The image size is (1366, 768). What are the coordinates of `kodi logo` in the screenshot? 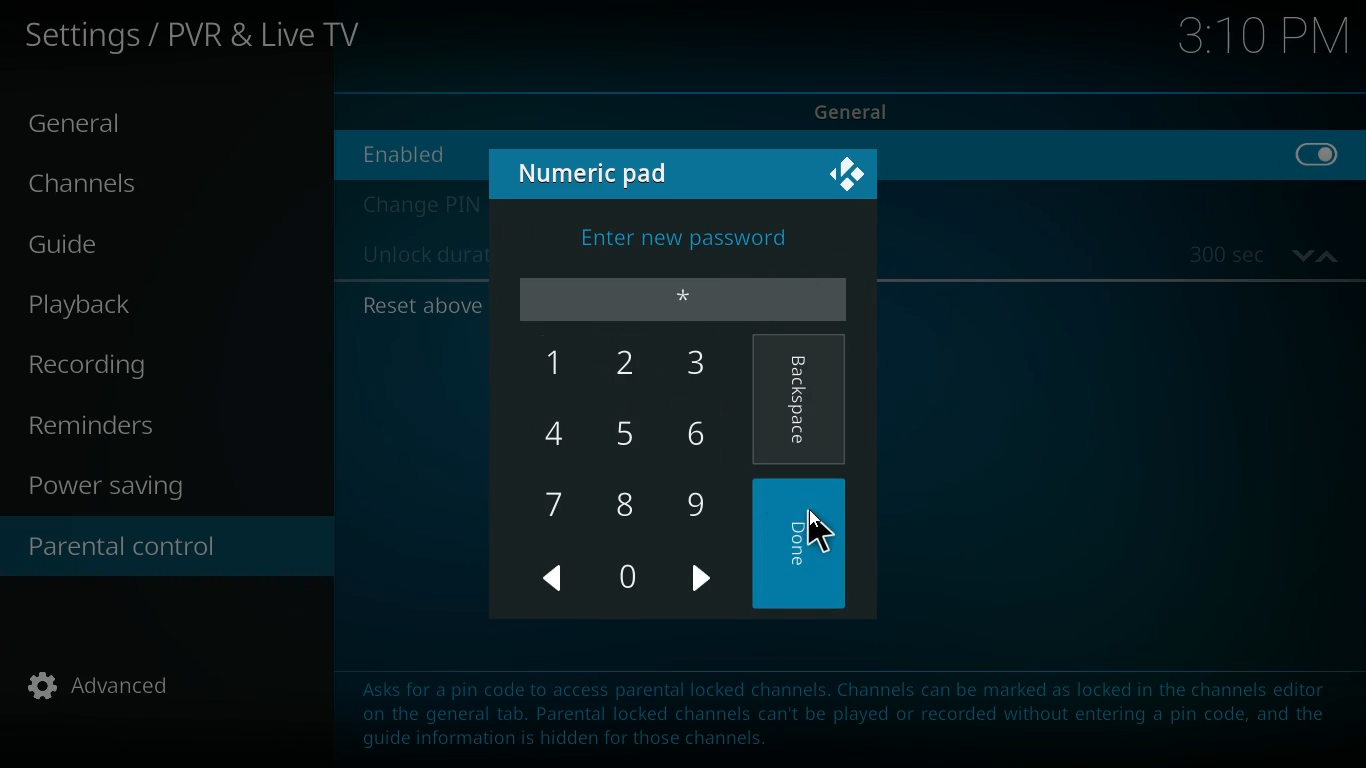 It's located at (849, 177).